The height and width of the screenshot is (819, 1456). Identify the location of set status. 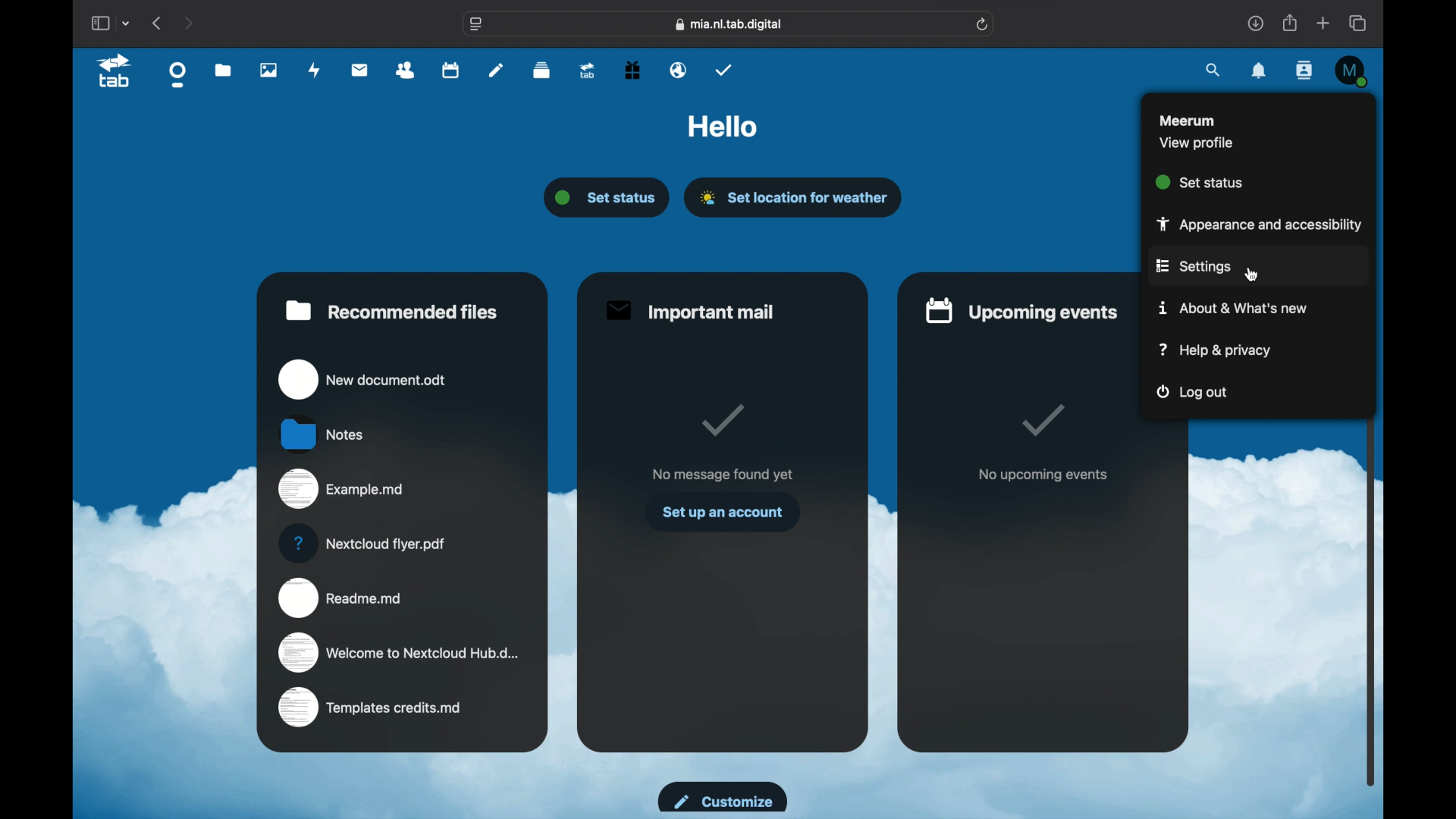
(605, 196).